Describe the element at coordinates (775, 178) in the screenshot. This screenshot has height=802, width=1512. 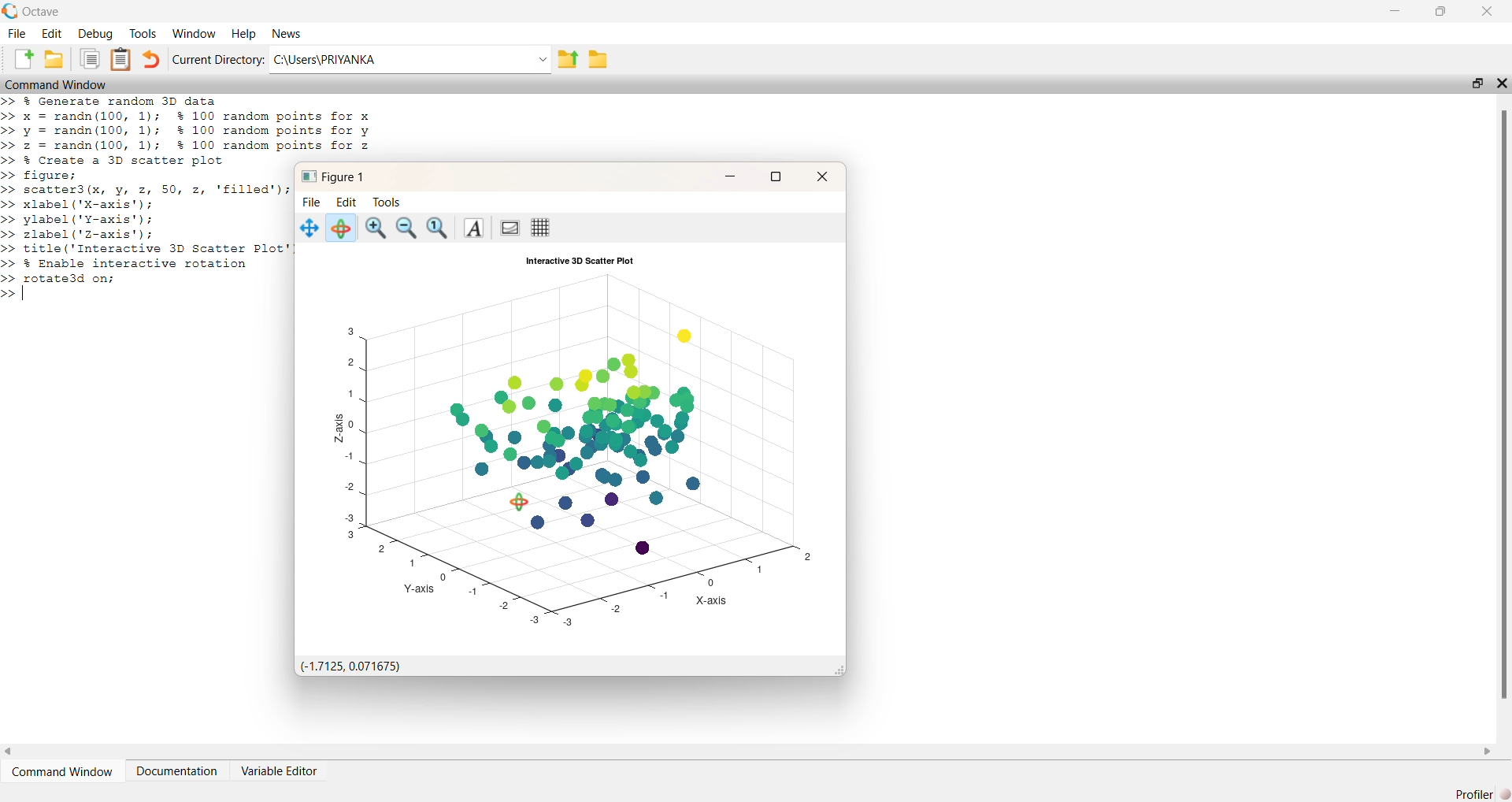
I see `resize` at that location.